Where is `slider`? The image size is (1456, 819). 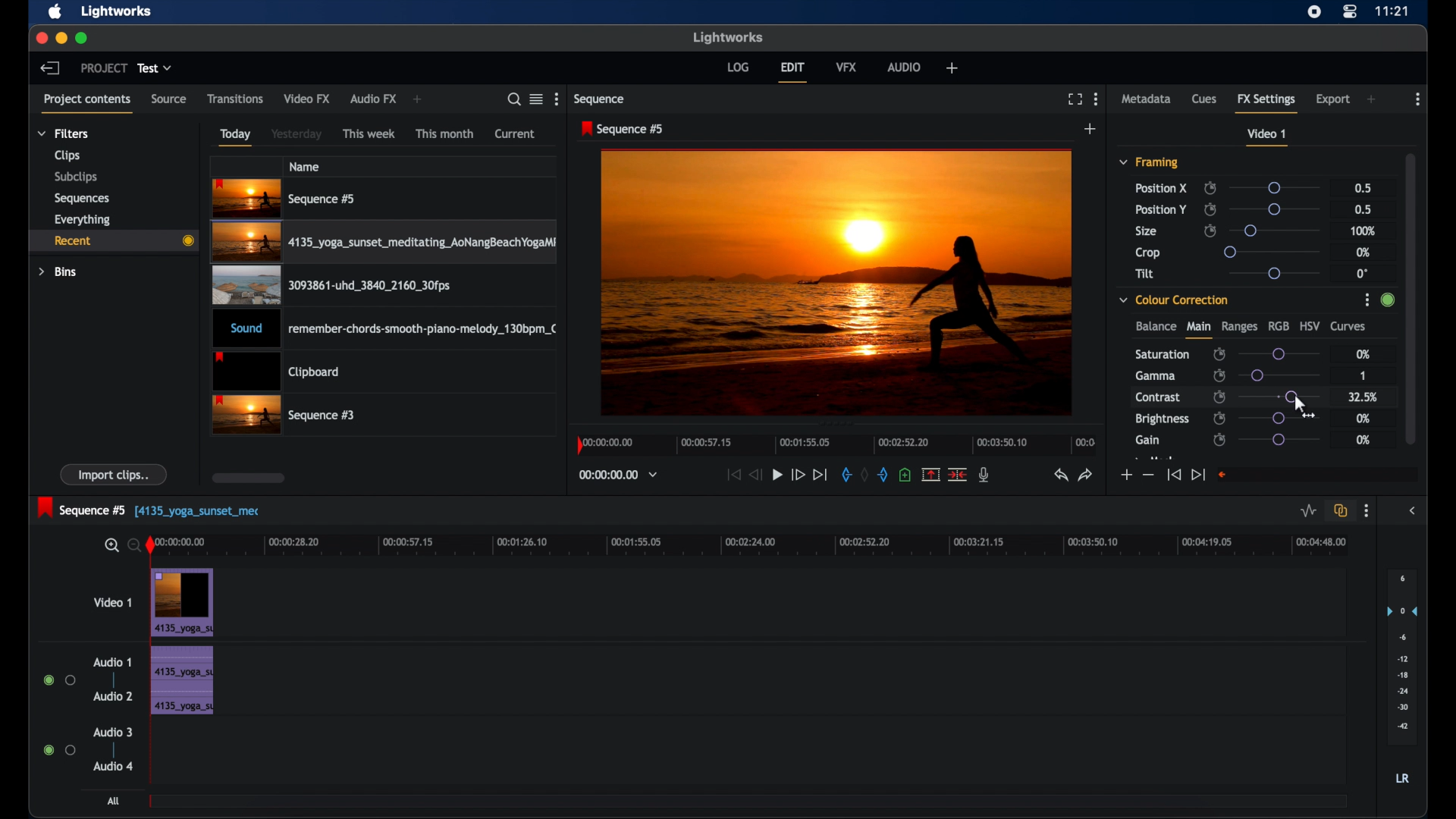 slider is located at coordinates (1279, 375).